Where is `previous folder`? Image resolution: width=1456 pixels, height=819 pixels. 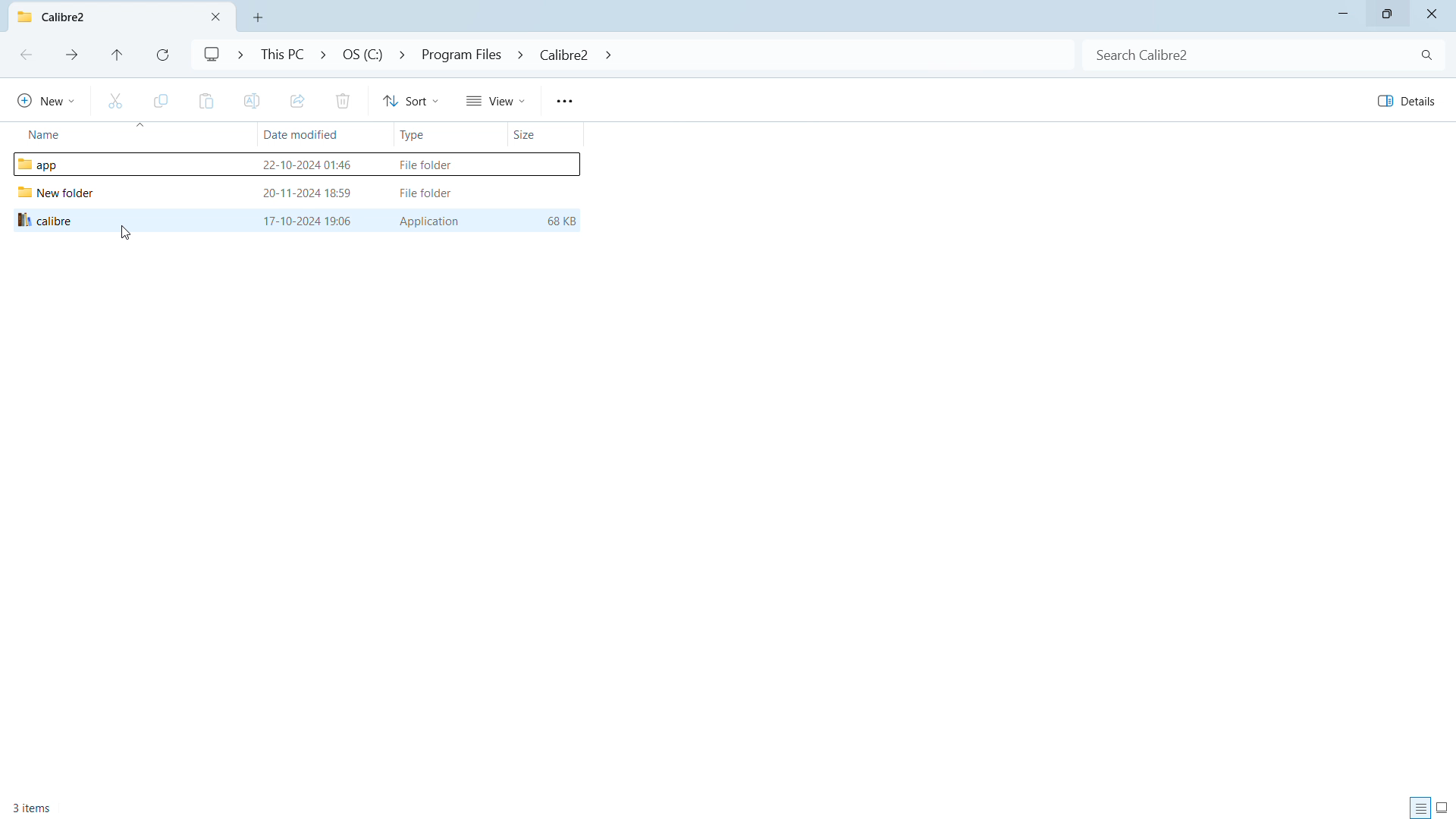 previous folder is located at coordinates (24, 55).